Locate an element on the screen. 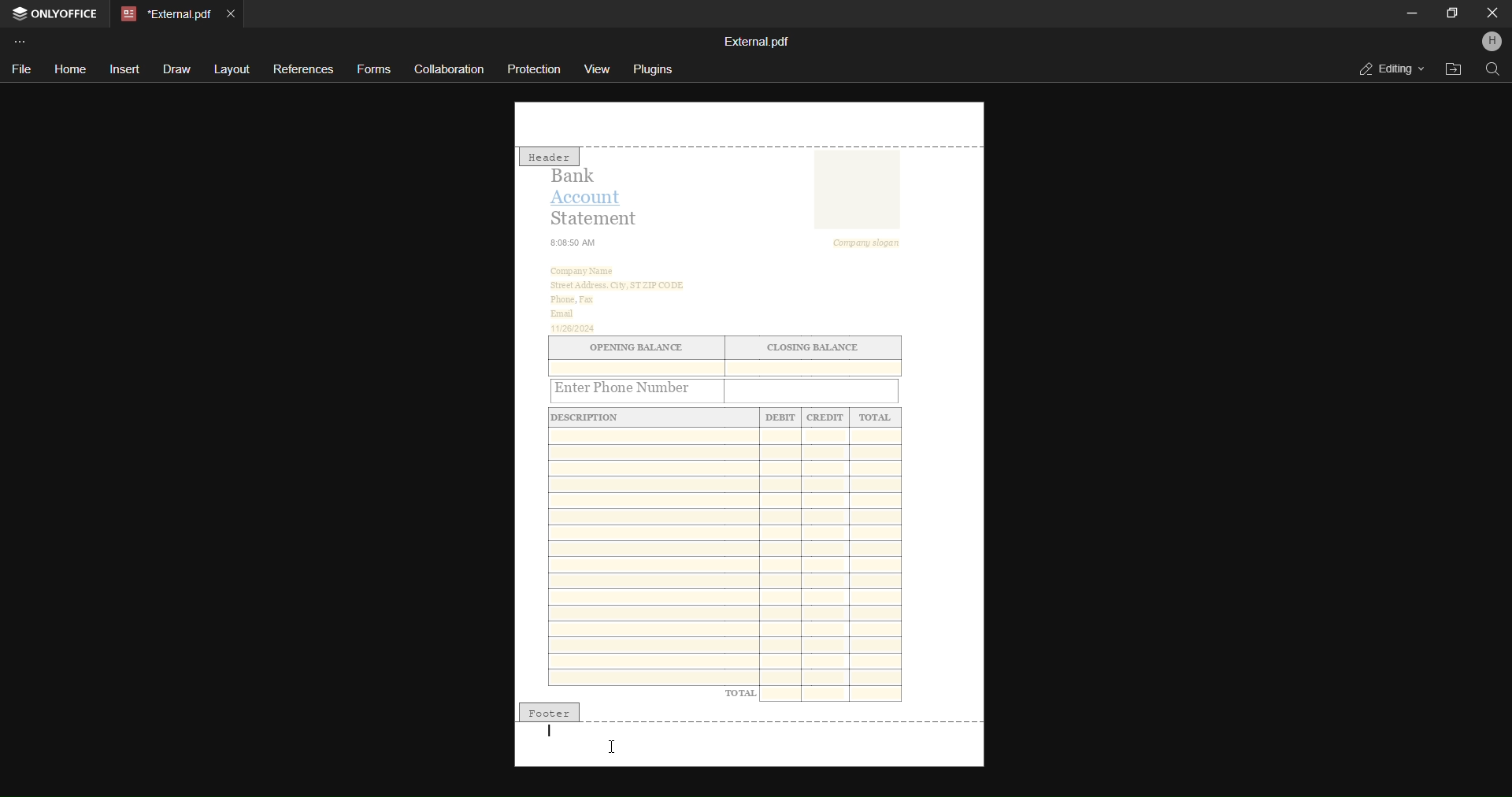  Debit is located at coordinates (781, 418).